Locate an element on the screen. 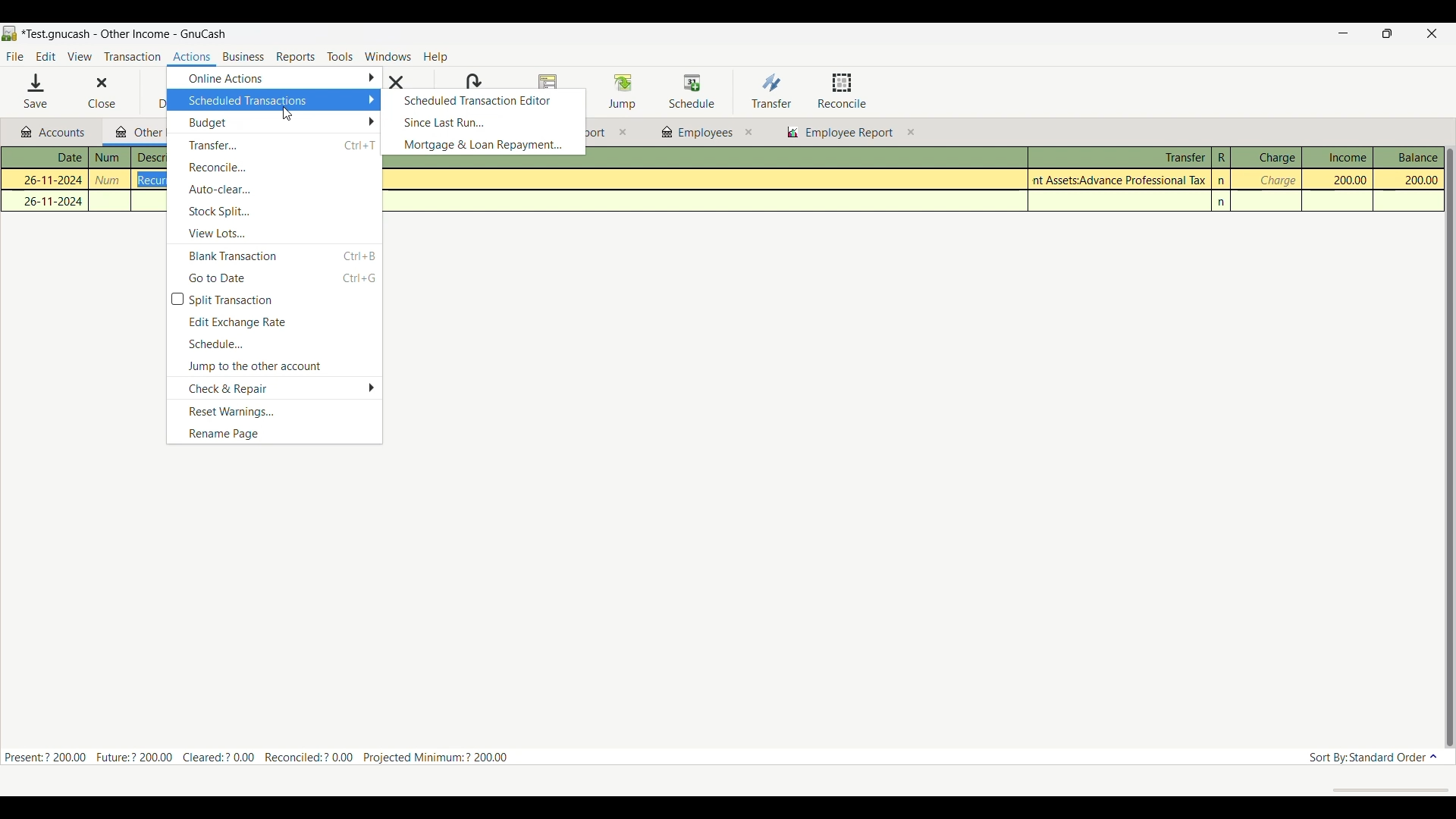 This screenshot has height=819, width=1456. Blank transaction is located at coordinates (275, 255).